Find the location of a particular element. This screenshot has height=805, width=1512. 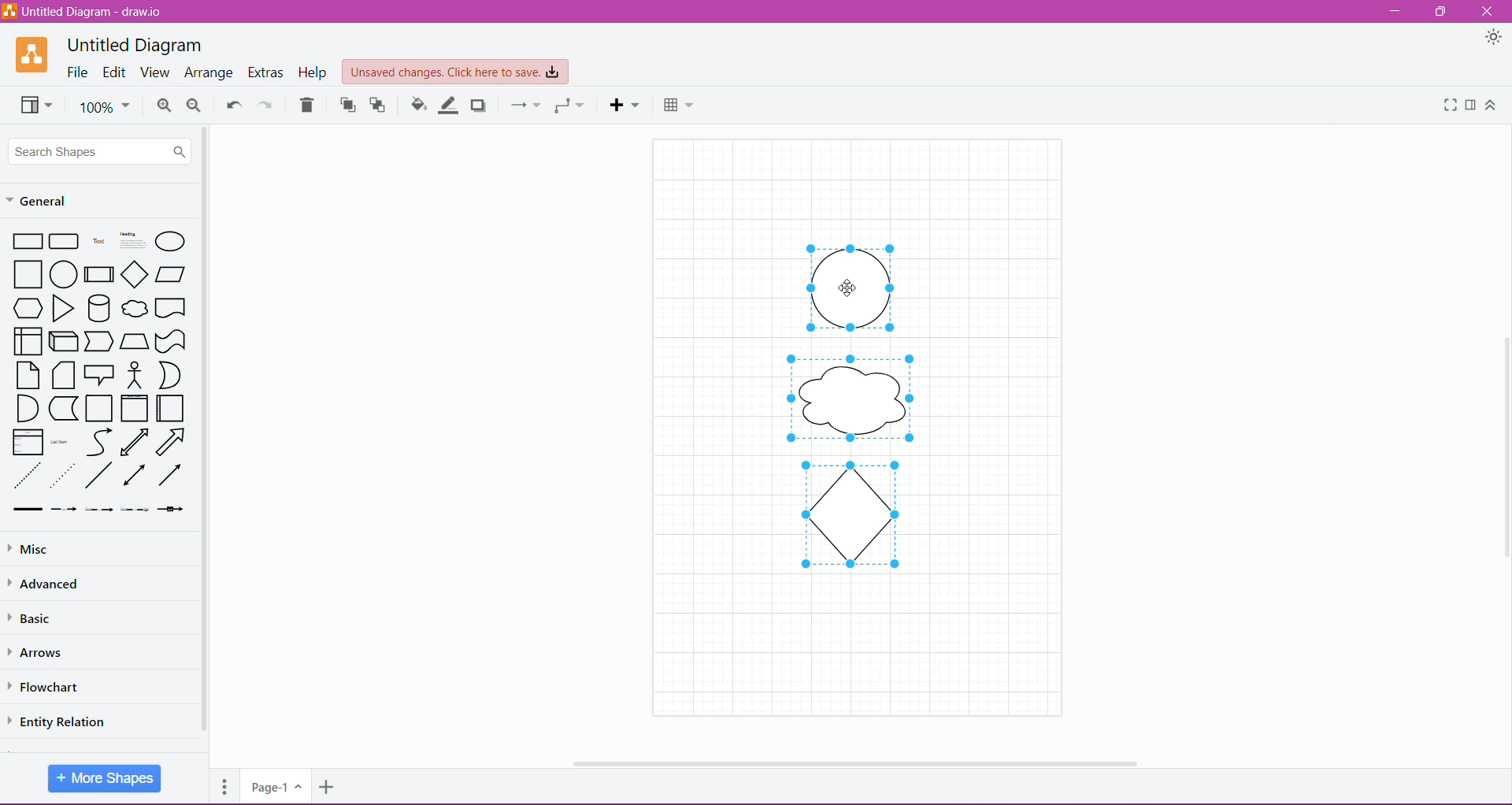

Shadow is located at coordinates (480, 105).